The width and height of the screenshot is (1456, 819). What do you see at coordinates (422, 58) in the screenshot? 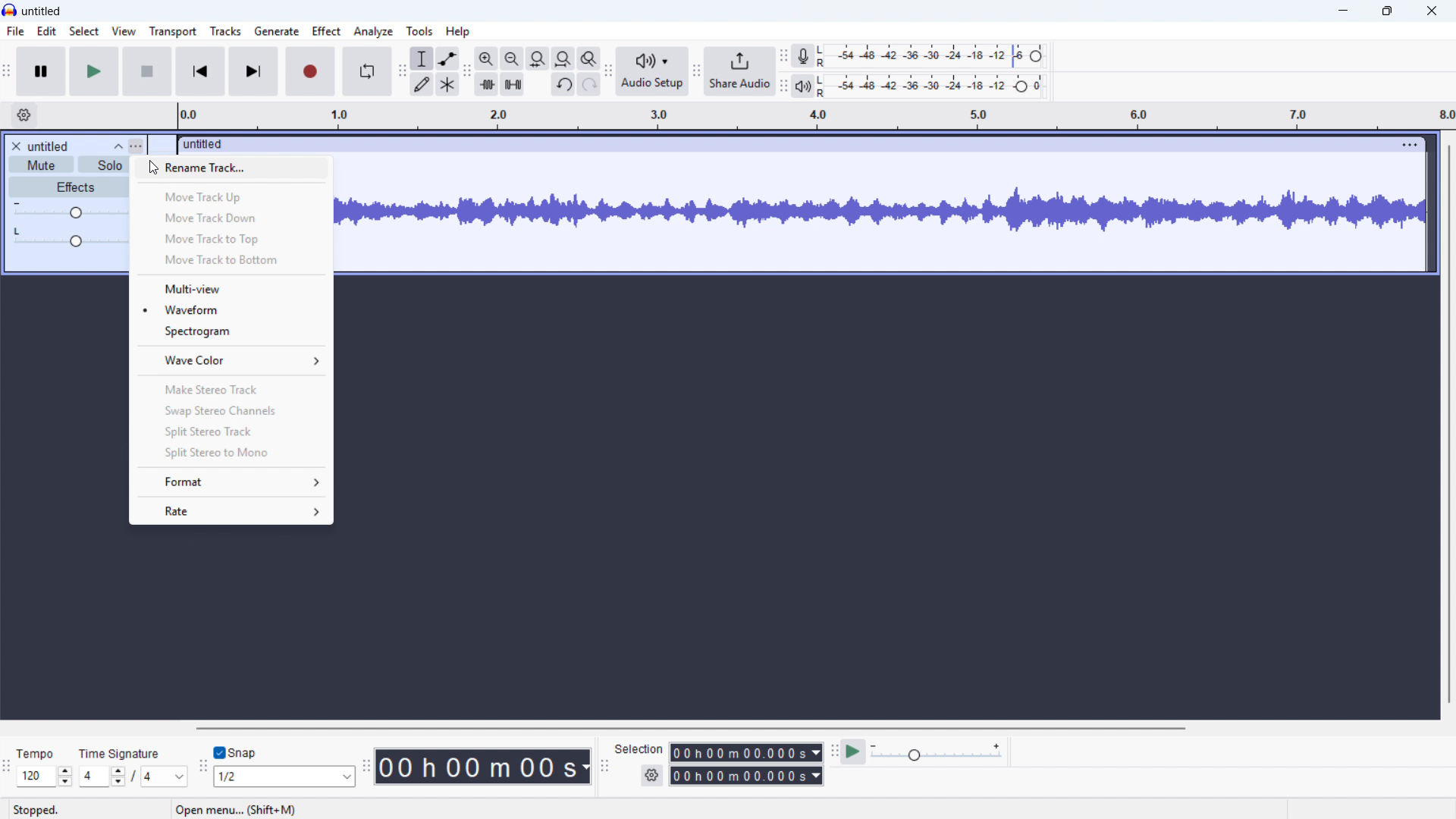
I see `Selection tool ` at bounding box center [422, 58].